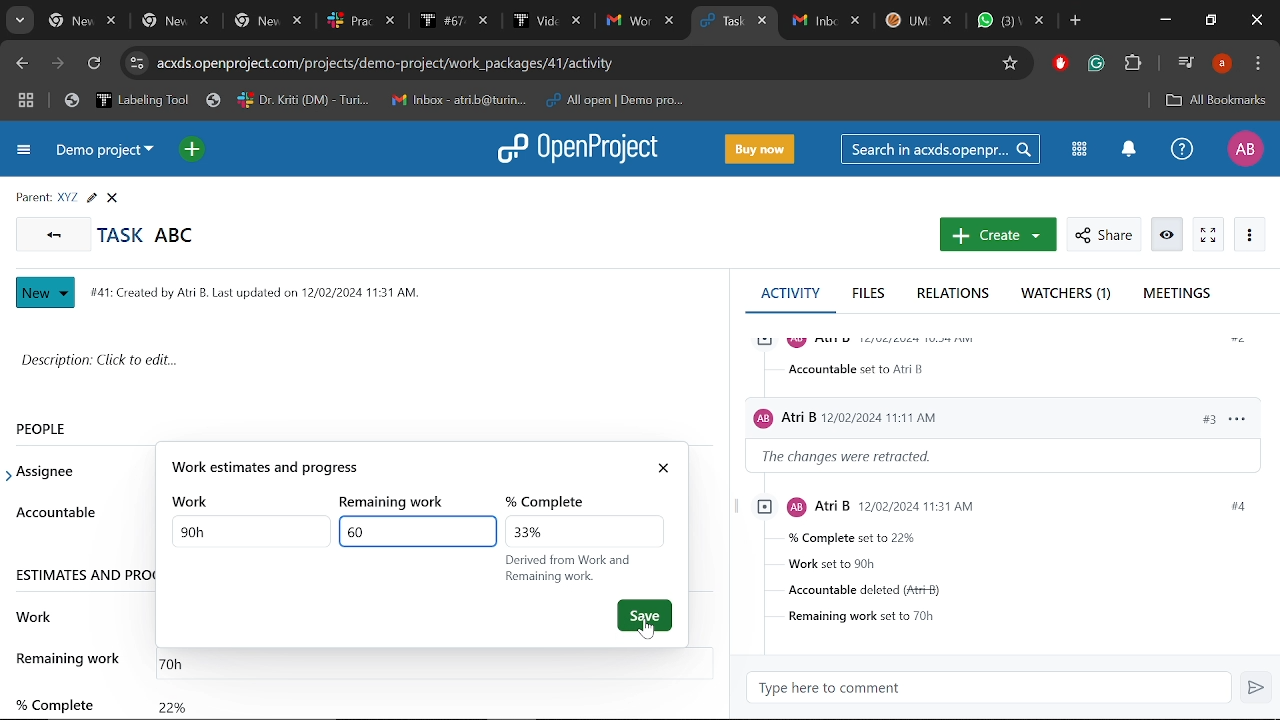 Image resolution: width=1280 pixels, height=720 pixels. Describe the element at coordinates (1244, 149) in the screenshot. I see `Profile` at that location.